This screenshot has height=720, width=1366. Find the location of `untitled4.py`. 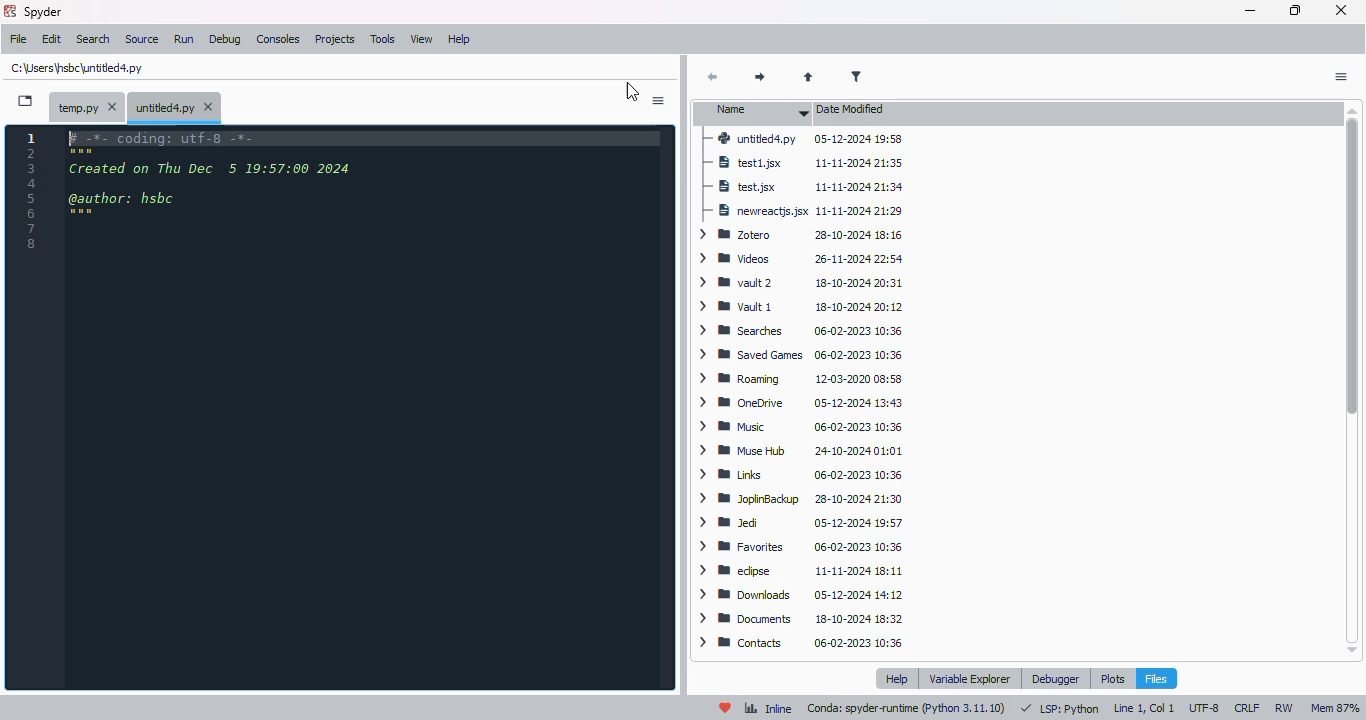

untitled4.py is located at coordinates (802, 187).